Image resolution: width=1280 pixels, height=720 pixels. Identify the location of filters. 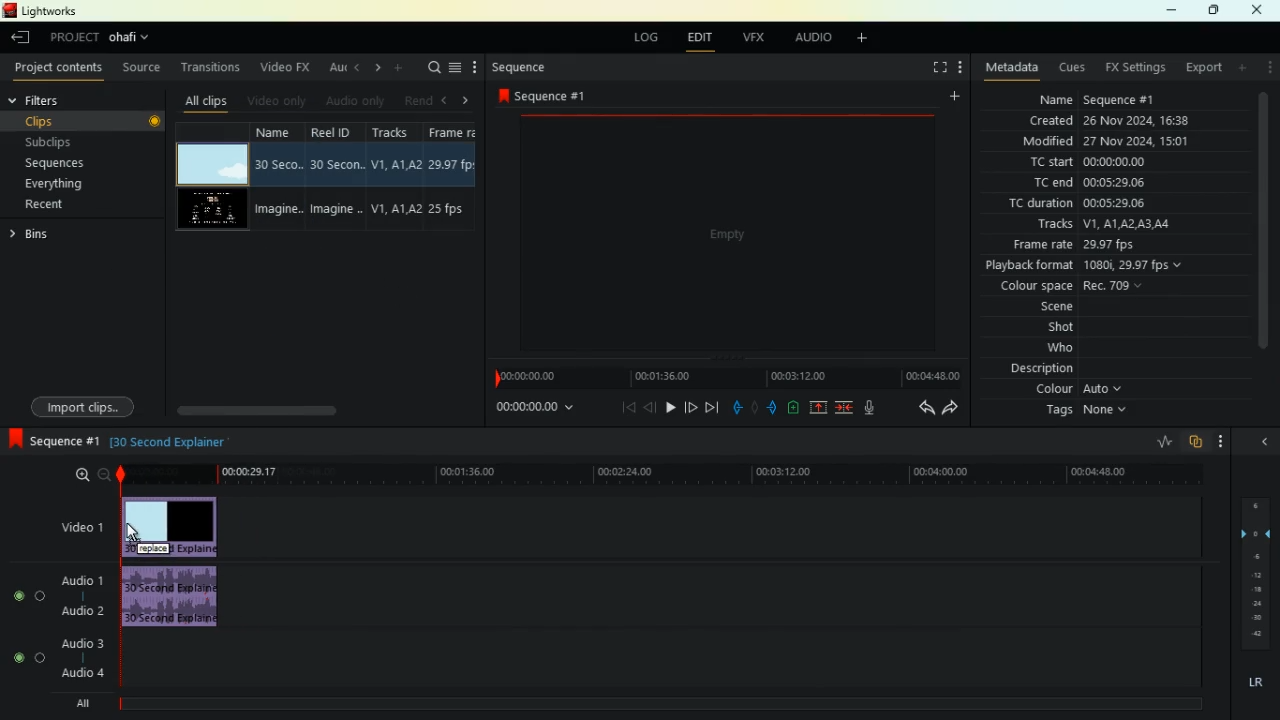
(53, 102).